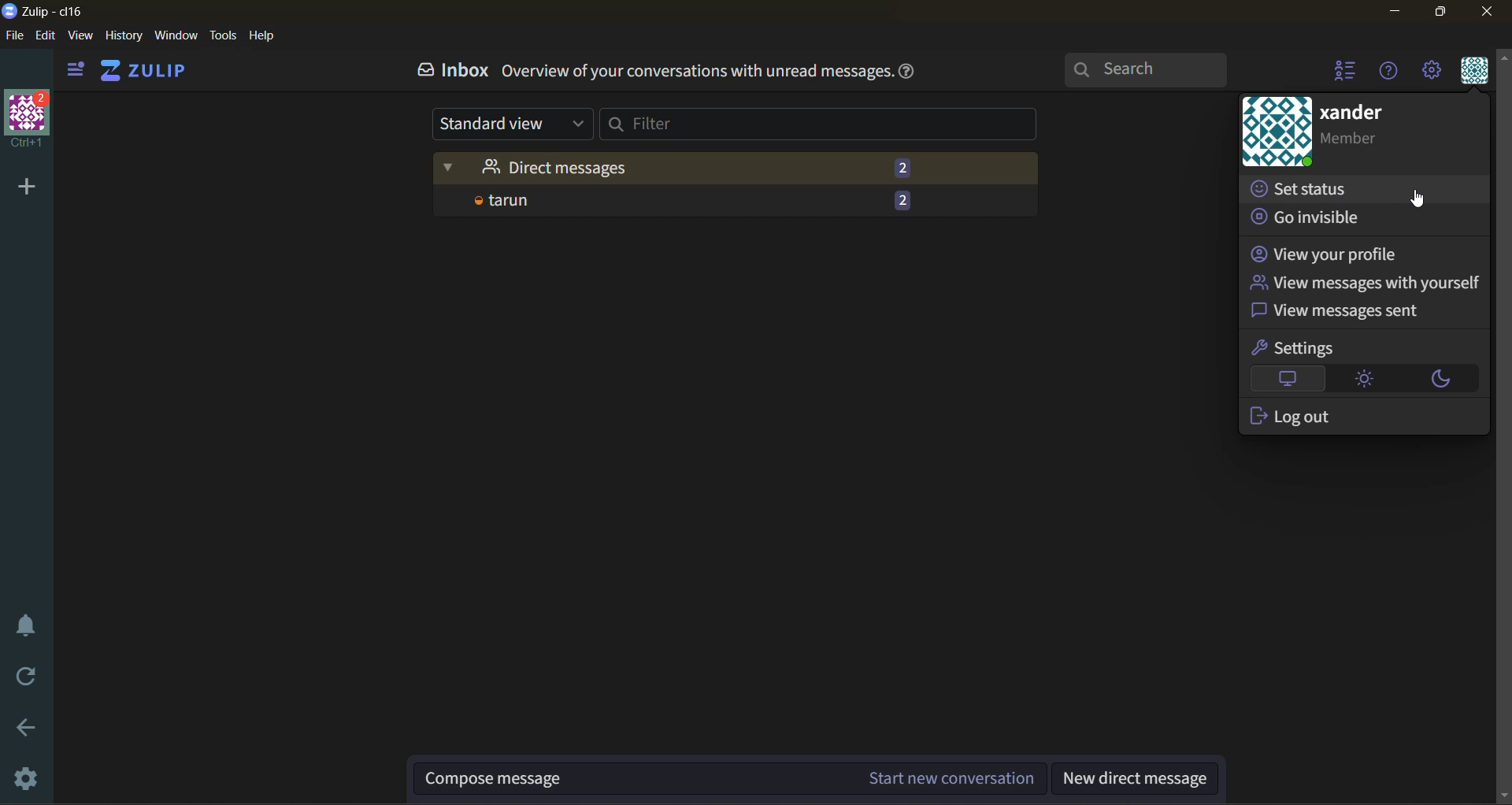  Describe the element at coordinates (25, 184) in the screenshot. I see `add a new organisation` at that location.